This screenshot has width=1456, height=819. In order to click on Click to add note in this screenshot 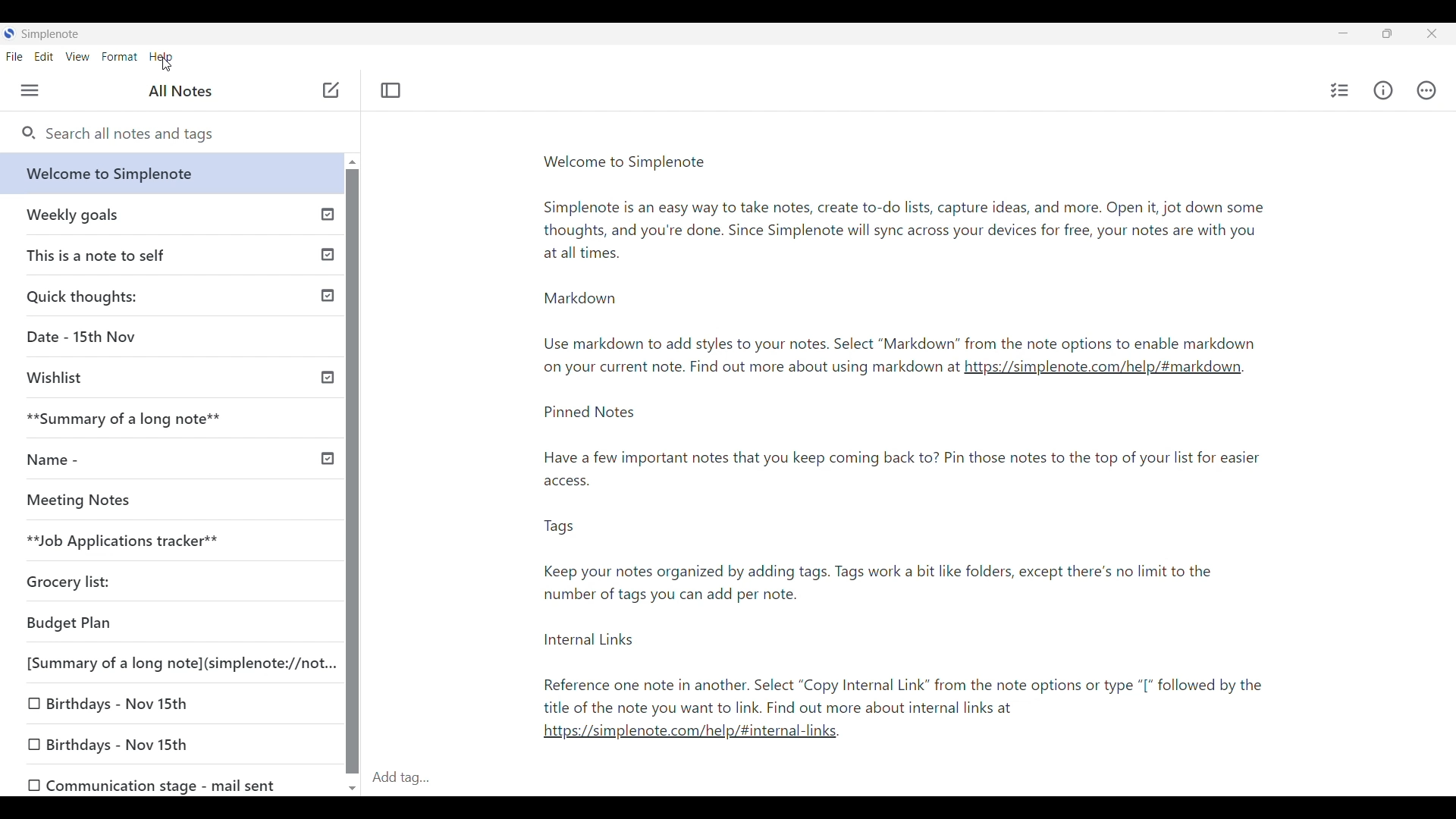, I will do `click(331, 90)`.